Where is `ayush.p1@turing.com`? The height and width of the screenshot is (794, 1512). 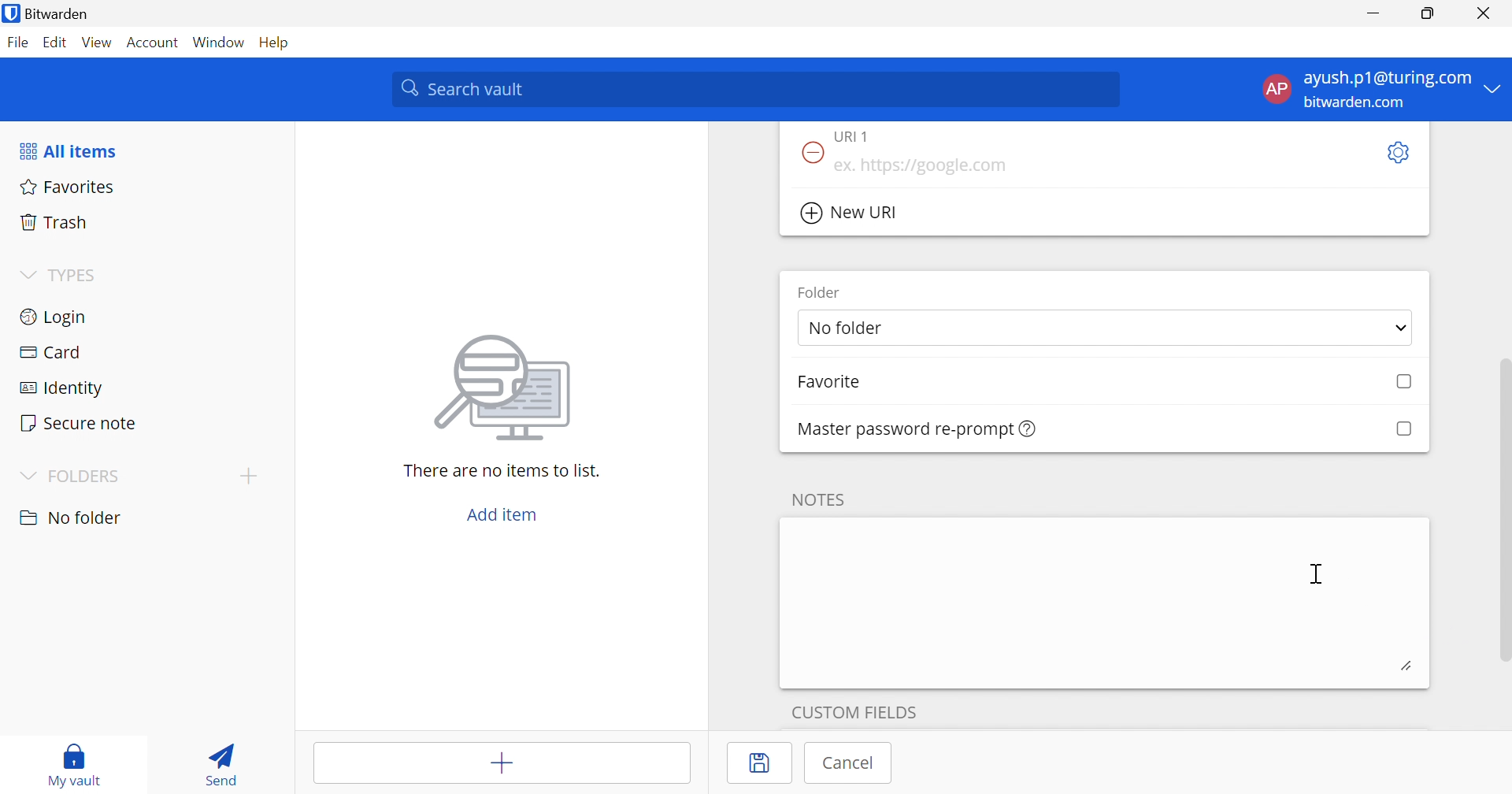 ayush.p1@turing.com is located at coordinates (1388, 79).